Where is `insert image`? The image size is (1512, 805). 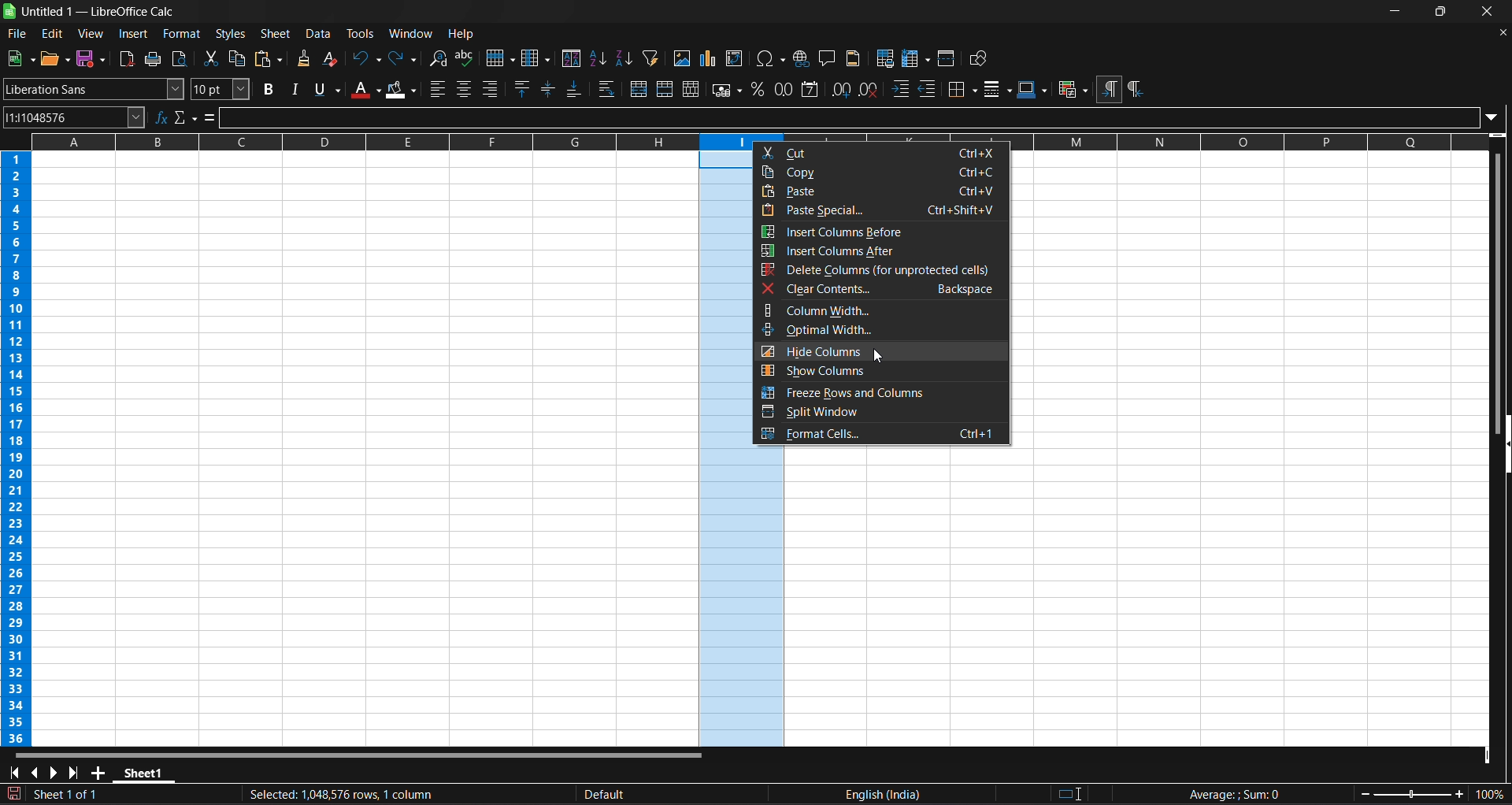 insert image is located at coordinates (683, 58).